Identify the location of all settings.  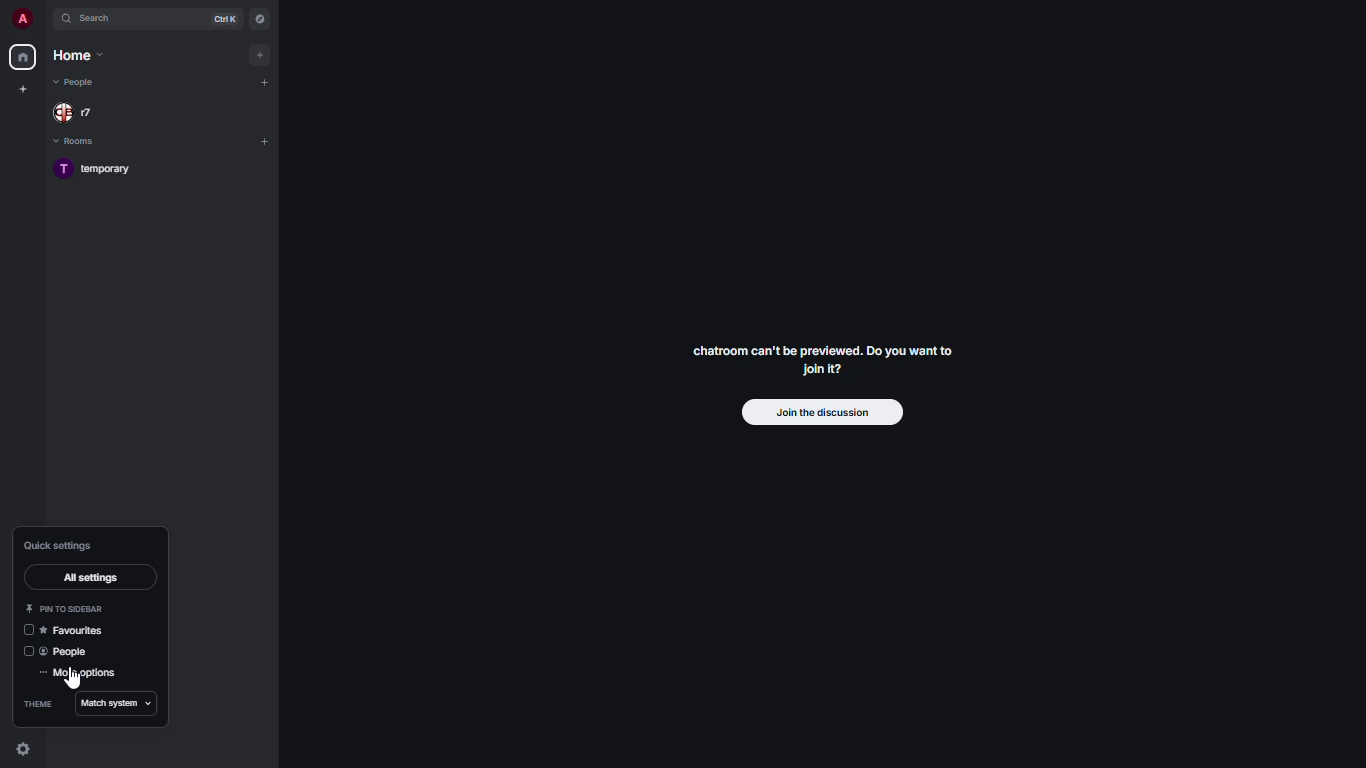
(95, 577).